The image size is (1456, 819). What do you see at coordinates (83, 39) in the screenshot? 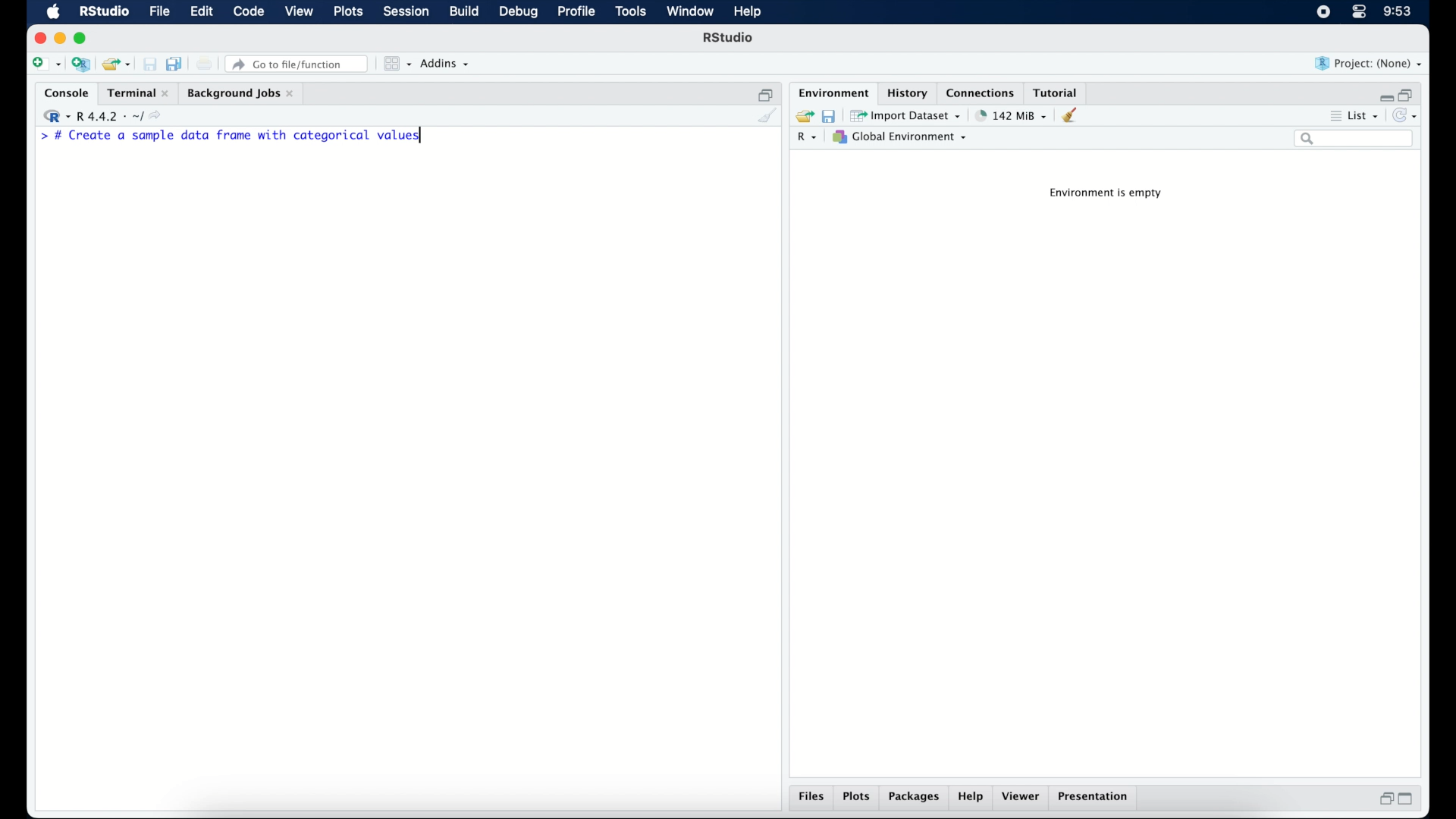
I see `maximize` at bounding box center [83, 39].